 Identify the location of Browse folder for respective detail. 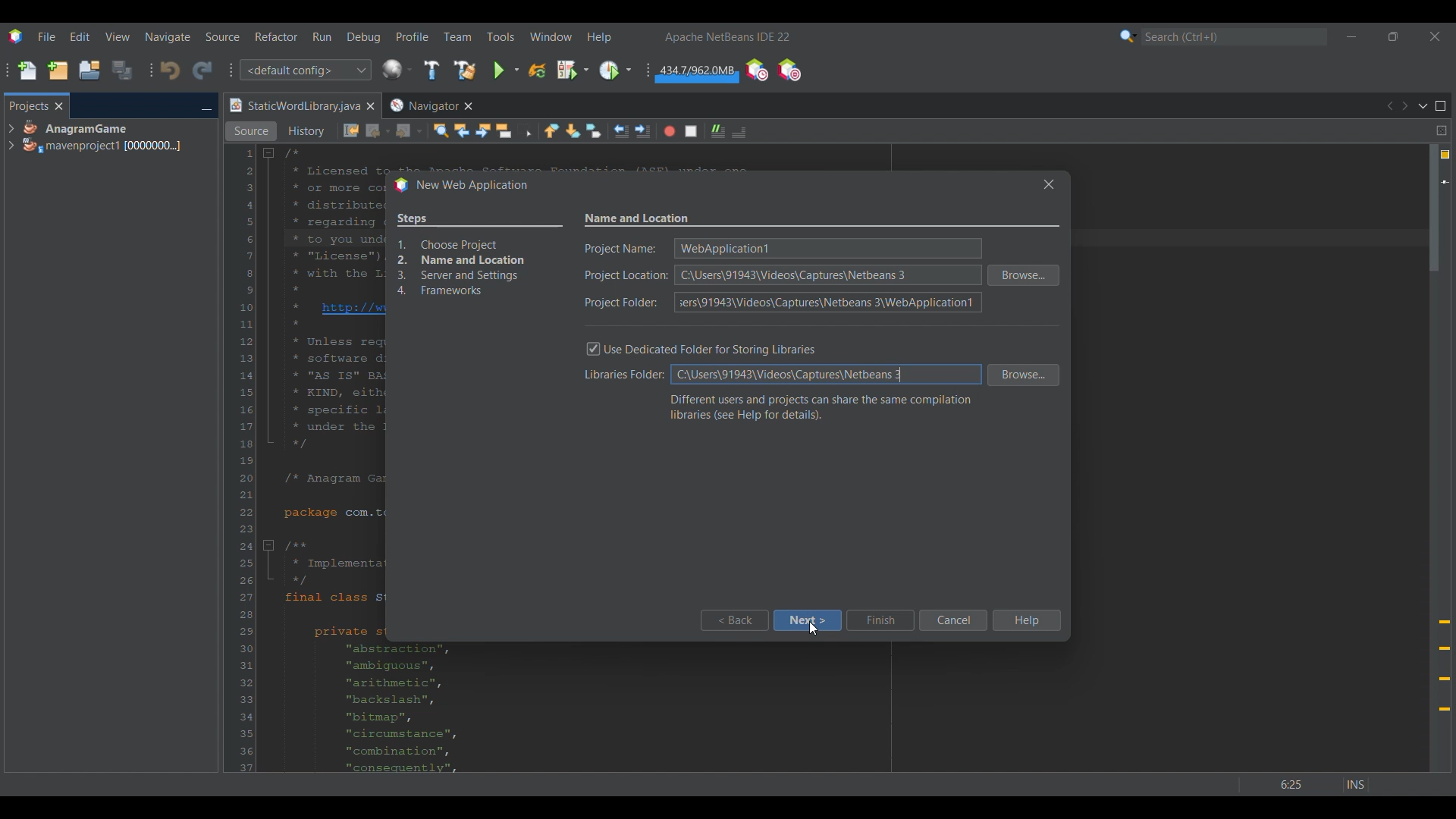
(1024, 325).